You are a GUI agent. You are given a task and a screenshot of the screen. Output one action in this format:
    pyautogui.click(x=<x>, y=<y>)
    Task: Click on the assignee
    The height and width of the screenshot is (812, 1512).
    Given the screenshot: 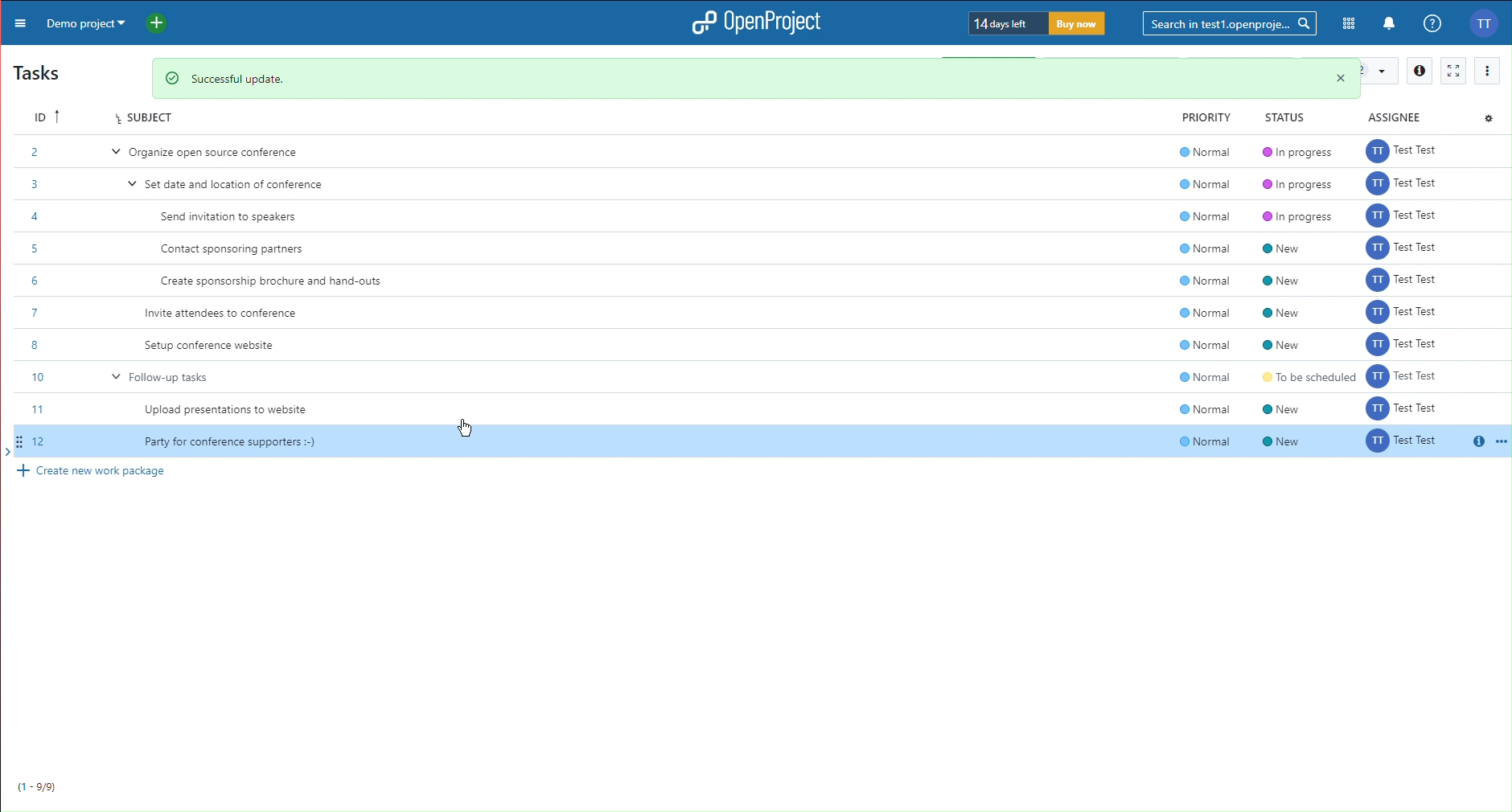 What is the action you would take?
    pyautogui.click(x=1409, y=297)
    